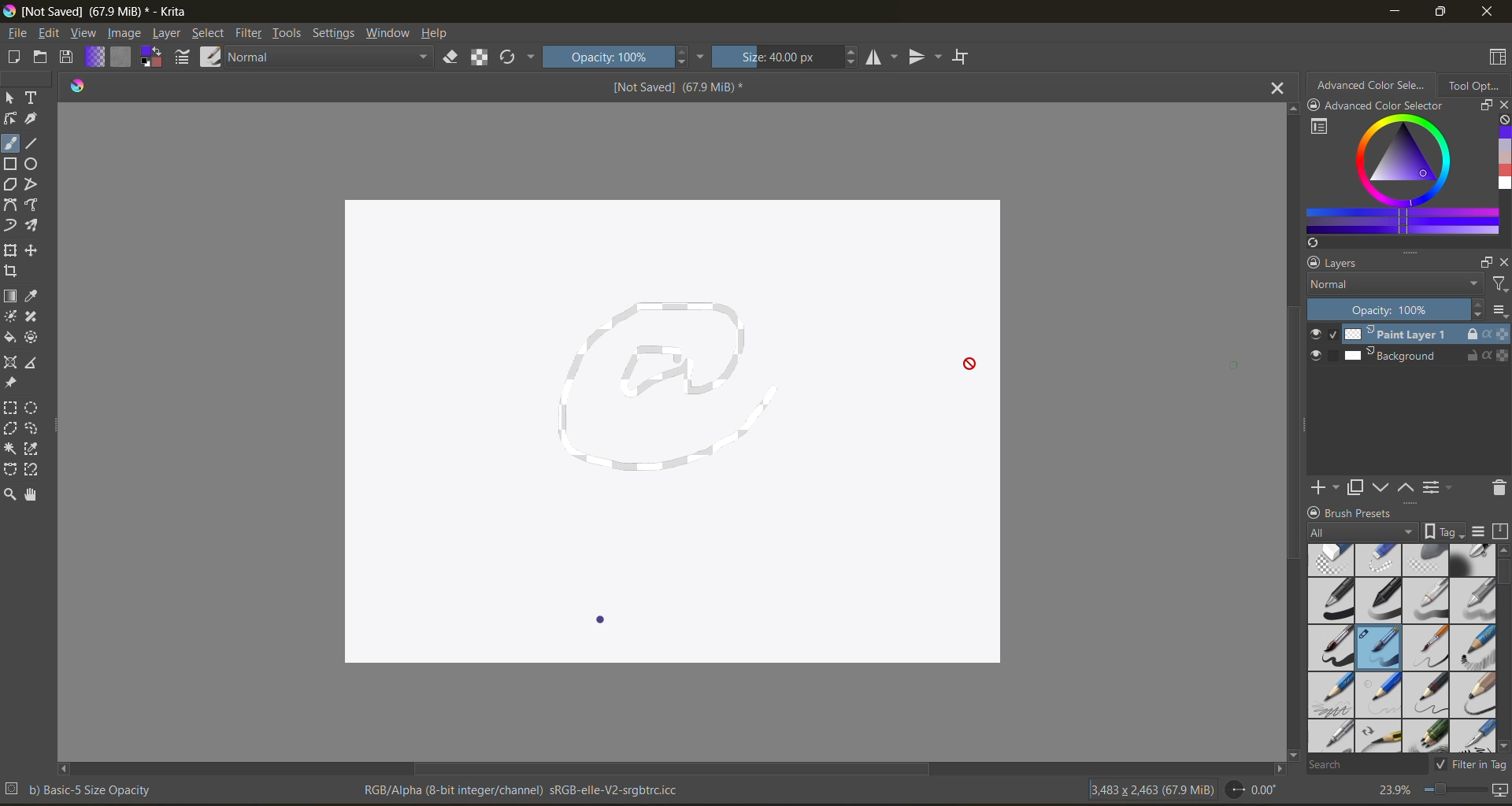 Image resolution: width=1512 pixels, height=806 pixels. I want to click on color selection tool, so click(32, 449).